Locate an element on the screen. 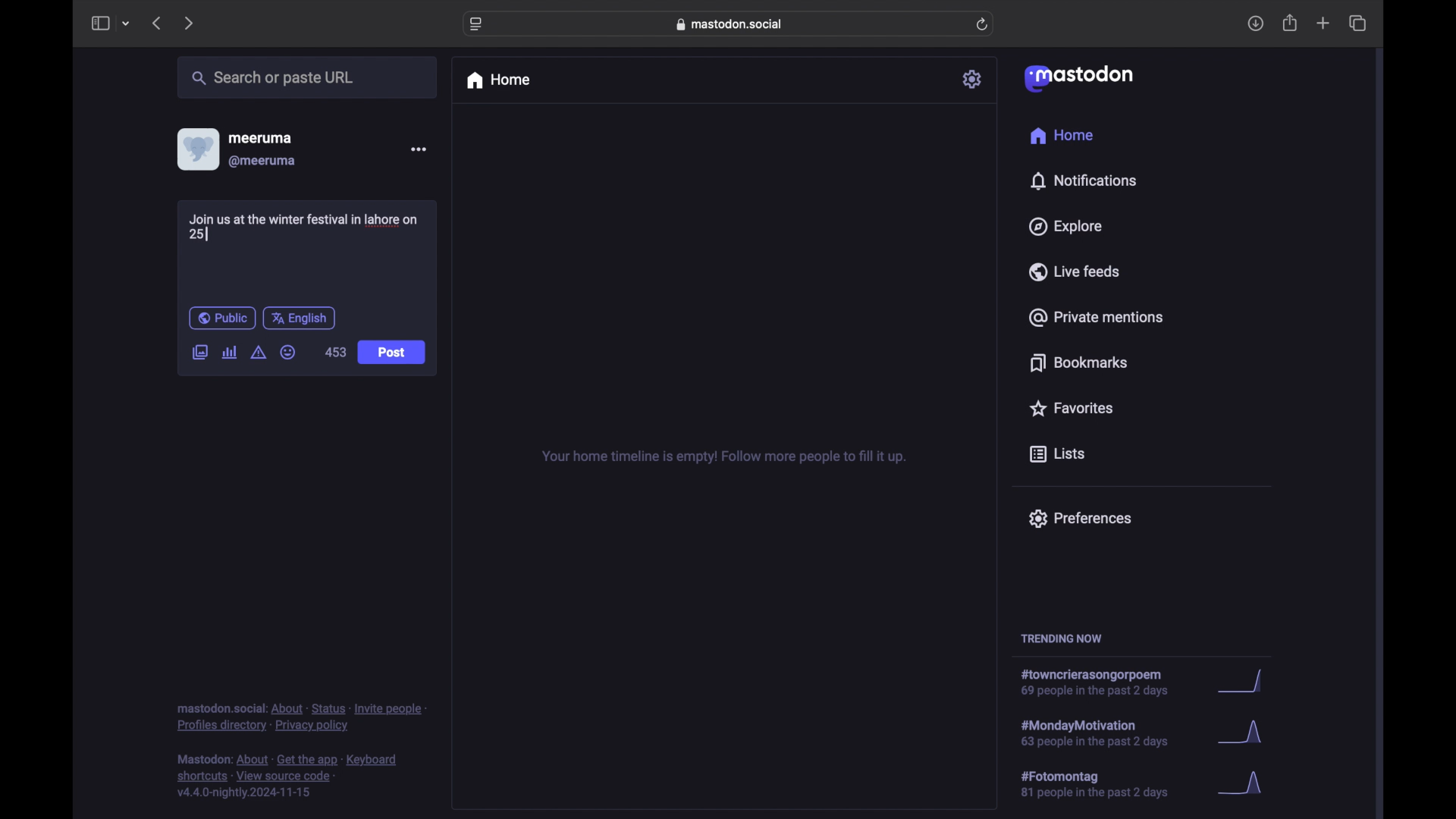 Image resolution: width=1456 pixels, height=819 pixels. live feeds is located at coordinates (1075, 271).